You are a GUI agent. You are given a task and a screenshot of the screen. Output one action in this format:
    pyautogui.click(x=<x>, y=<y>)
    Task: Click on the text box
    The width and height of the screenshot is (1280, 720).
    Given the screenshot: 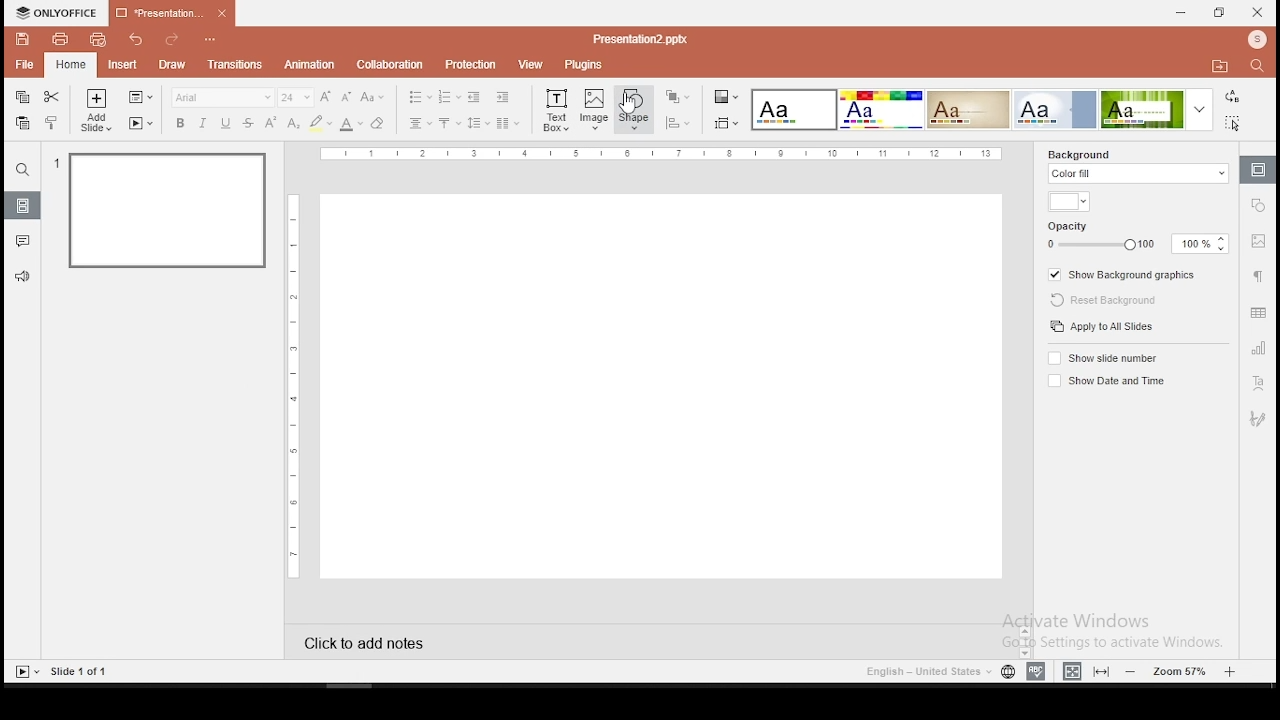 What is the action you would take?
    pyautogui.click(x=555, y=109)
    